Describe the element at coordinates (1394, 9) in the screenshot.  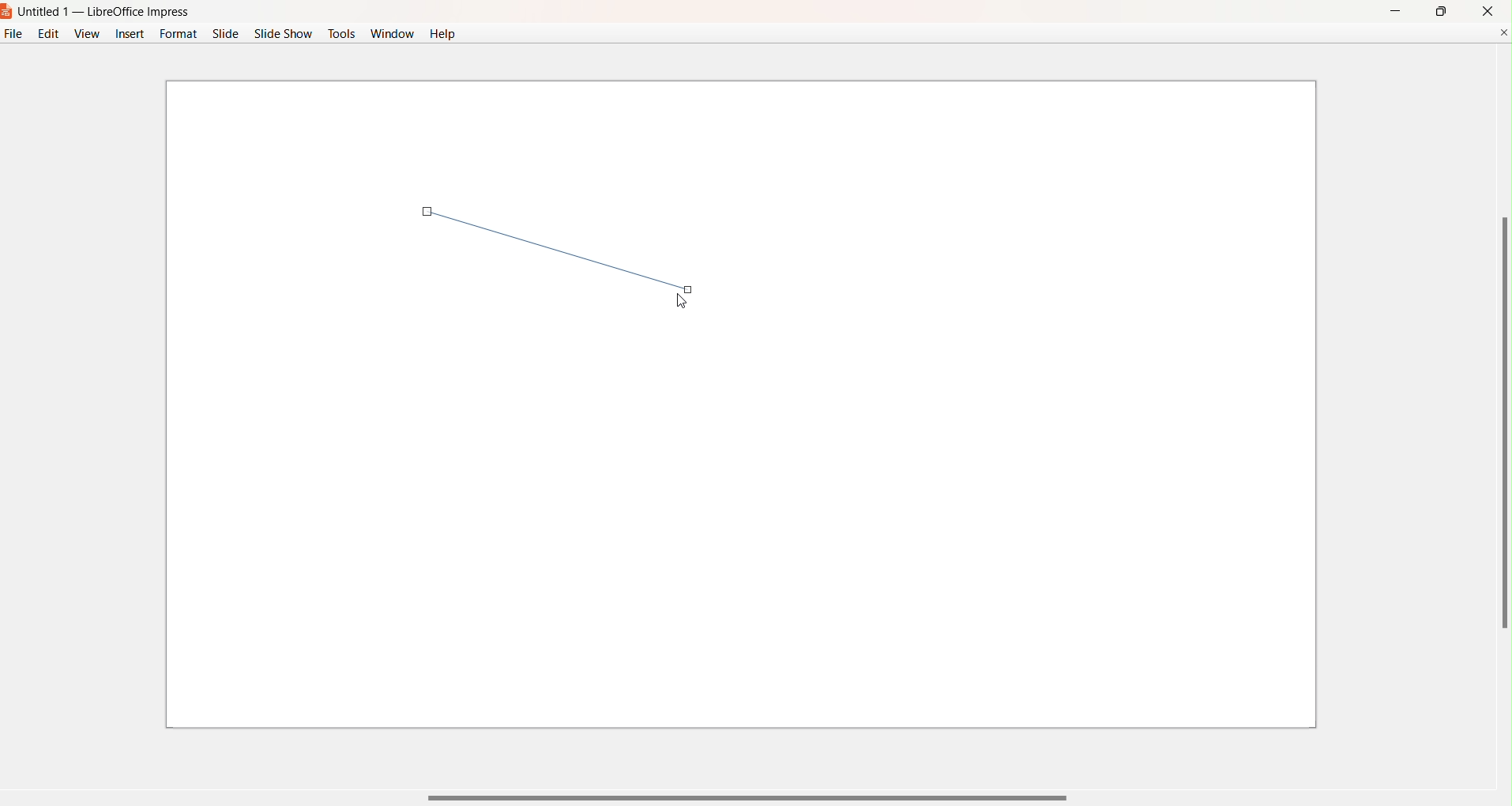
I see `Minimize` at that location.